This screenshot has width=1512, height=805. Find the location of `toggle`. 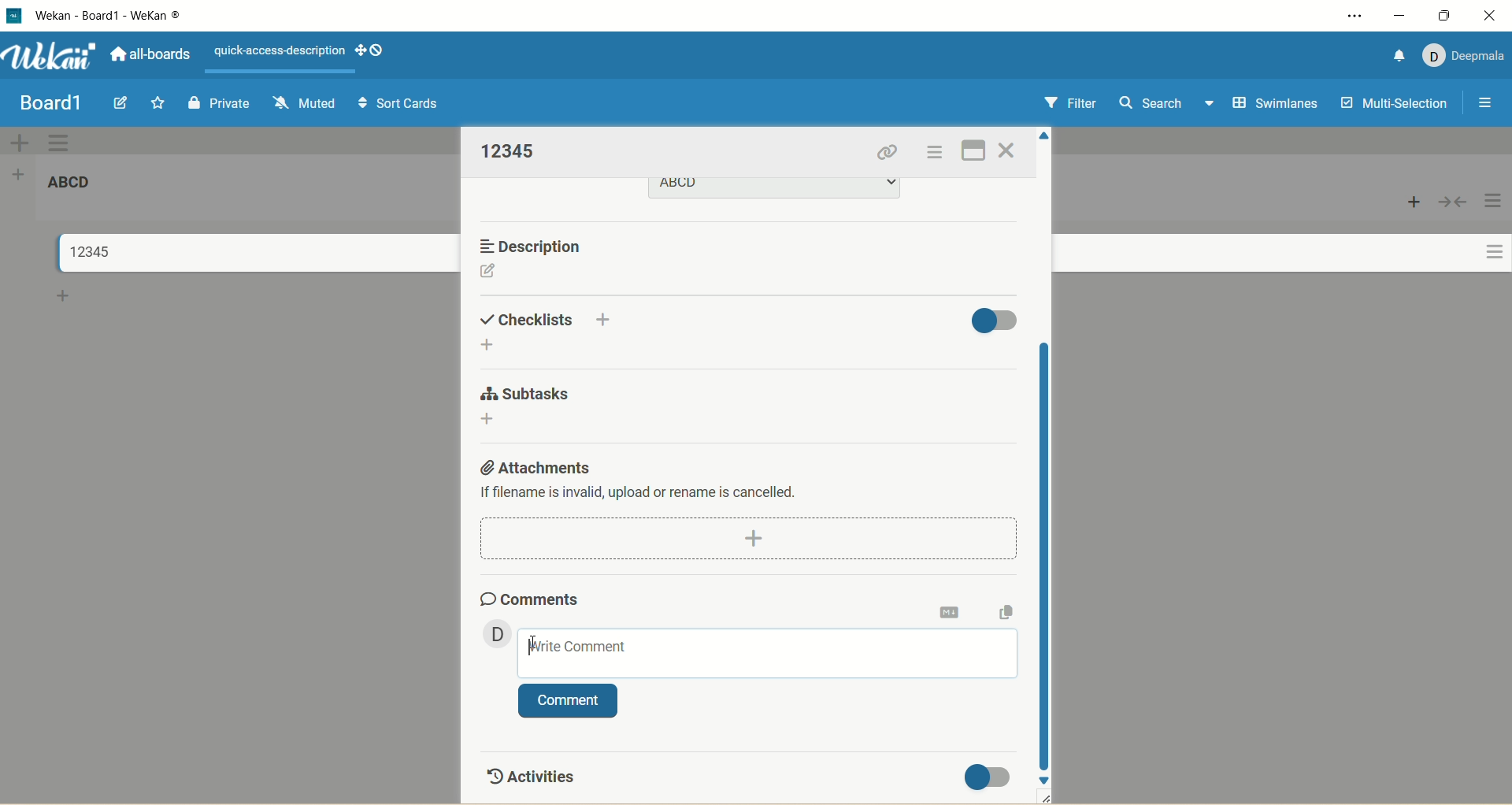

toggle is located at coordinates (991, 777).